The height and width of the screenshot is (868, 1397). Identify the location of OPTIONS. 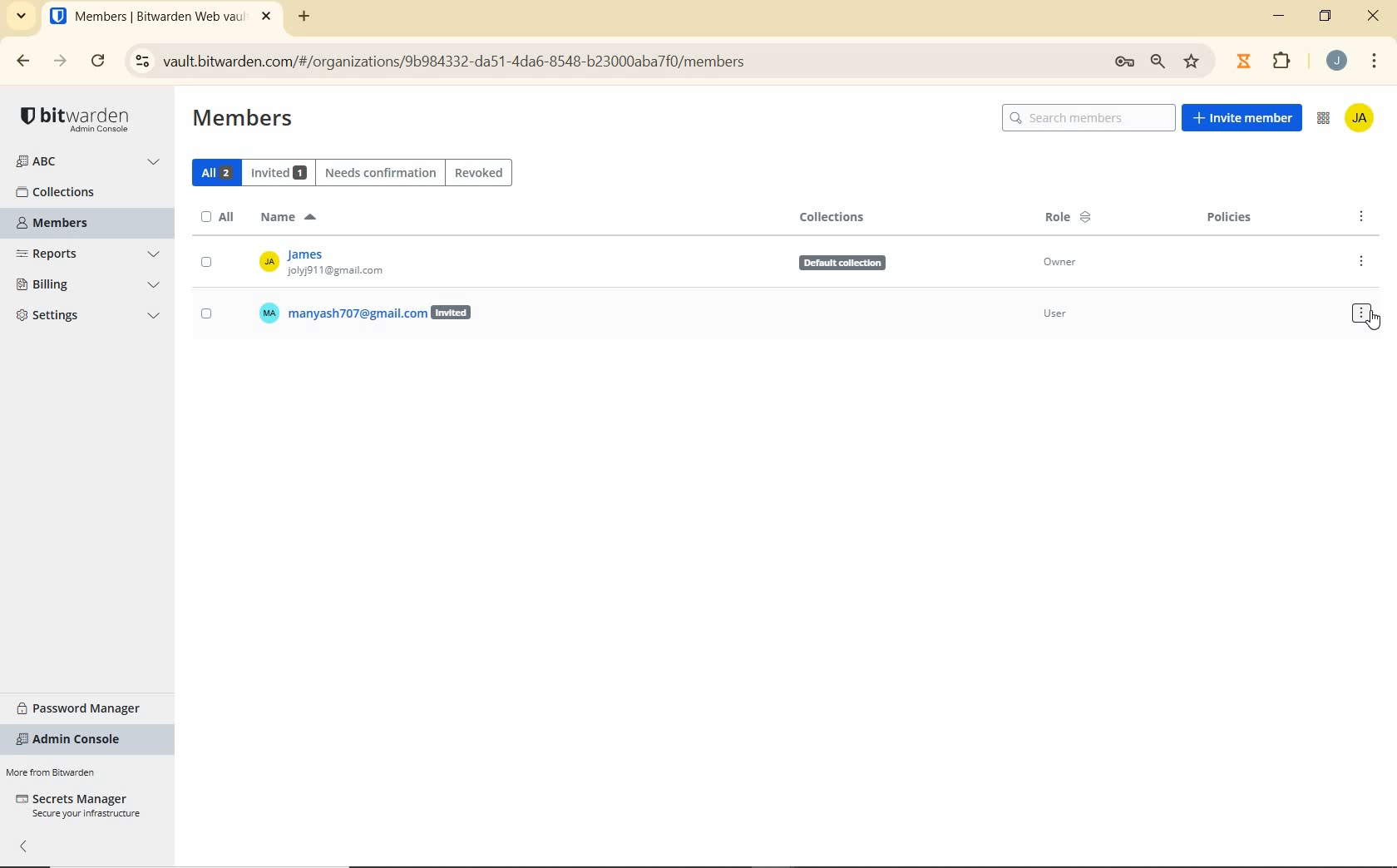
(1365, 217).